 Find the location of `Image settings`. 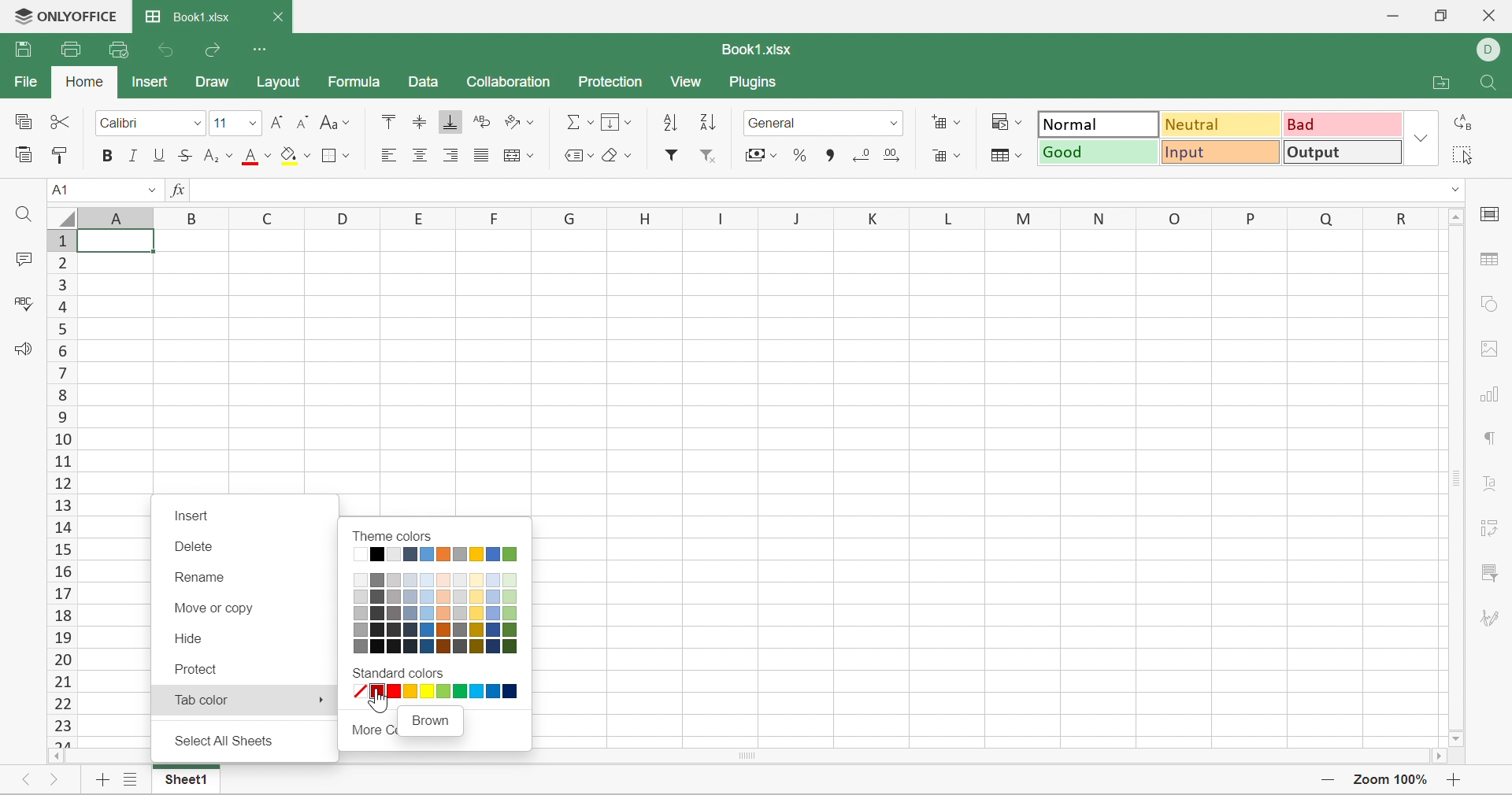

Image settings is located at coordinates (1489, 348).